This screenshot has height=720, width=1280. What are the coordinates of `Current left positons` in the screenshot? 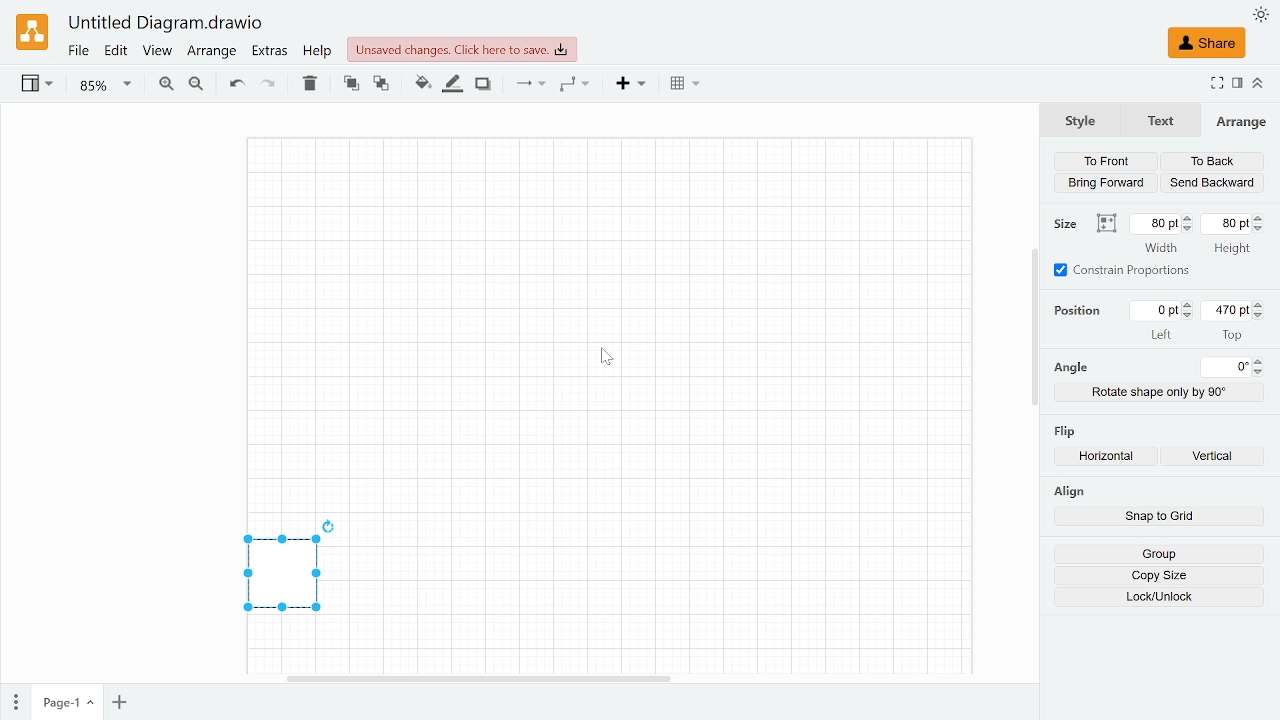 It's located at (1157, 310).